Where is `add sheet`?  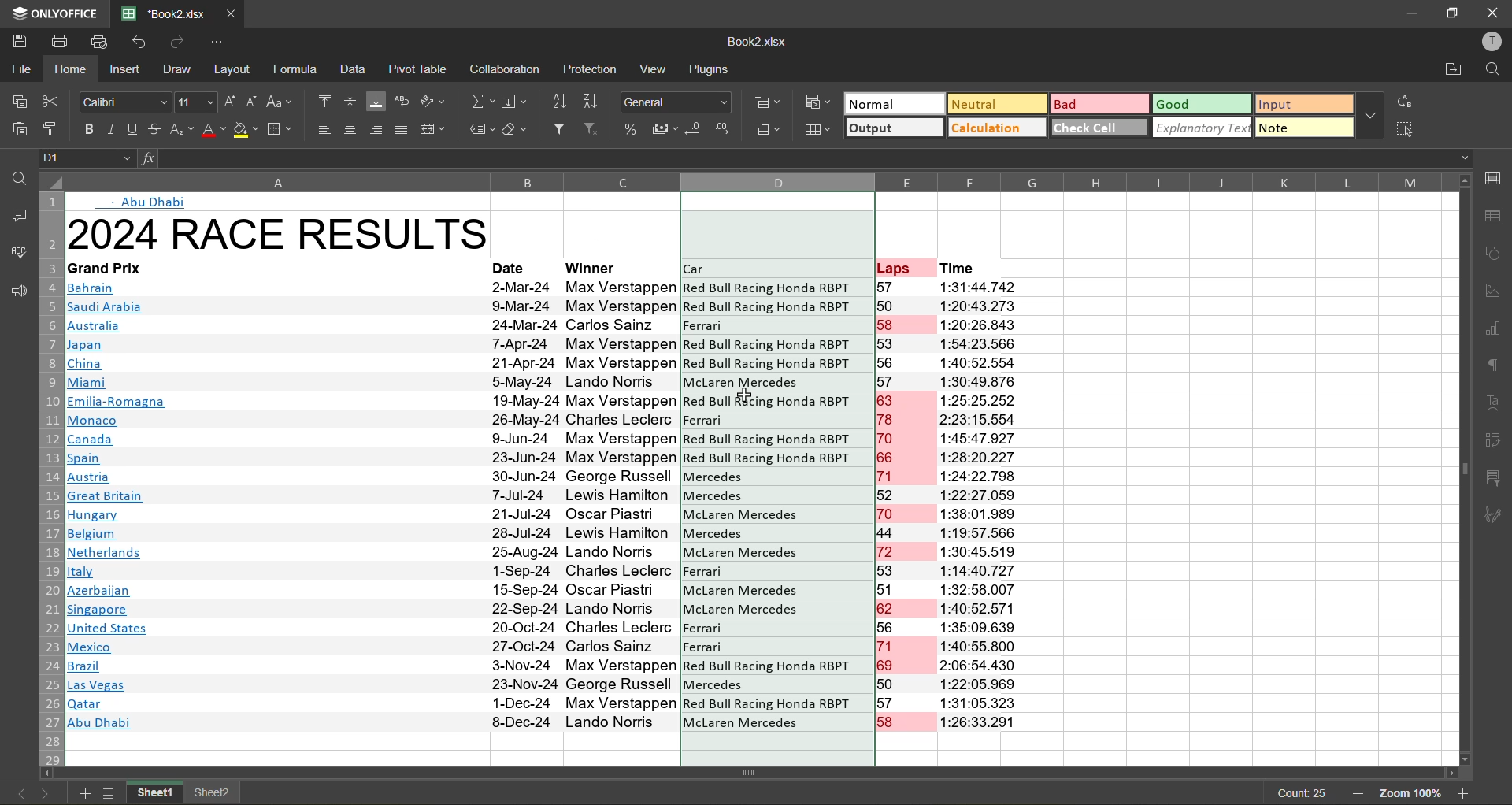 add sheet is located at coordinates (85, 794).